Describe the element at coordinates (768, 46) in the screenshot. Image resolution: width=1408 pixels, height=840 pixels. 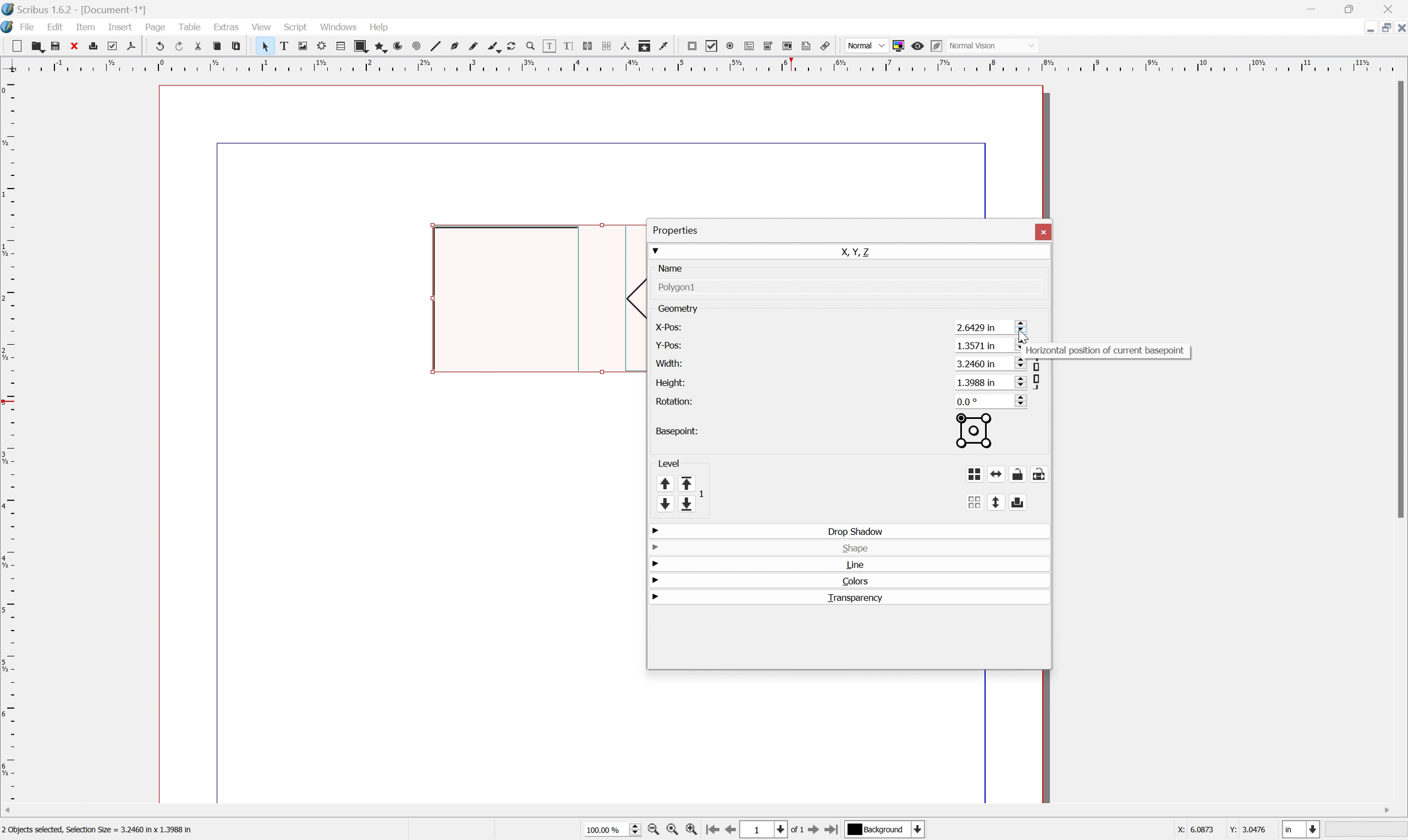
I see `pdf combo box` at that location.